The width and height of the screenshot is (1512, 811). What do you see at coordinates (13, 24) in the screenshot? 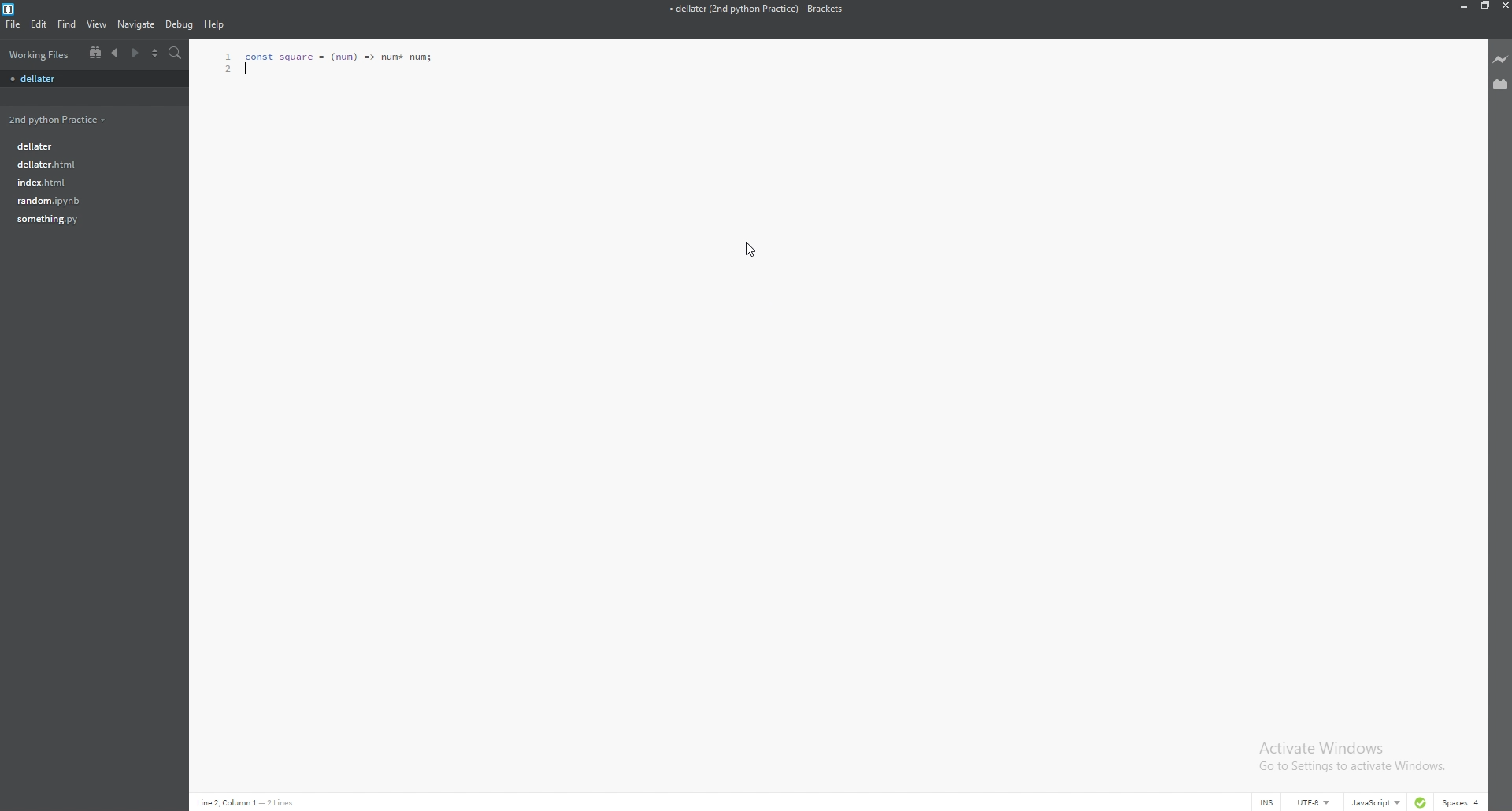
I see `file` at bounding box center [13, 24].